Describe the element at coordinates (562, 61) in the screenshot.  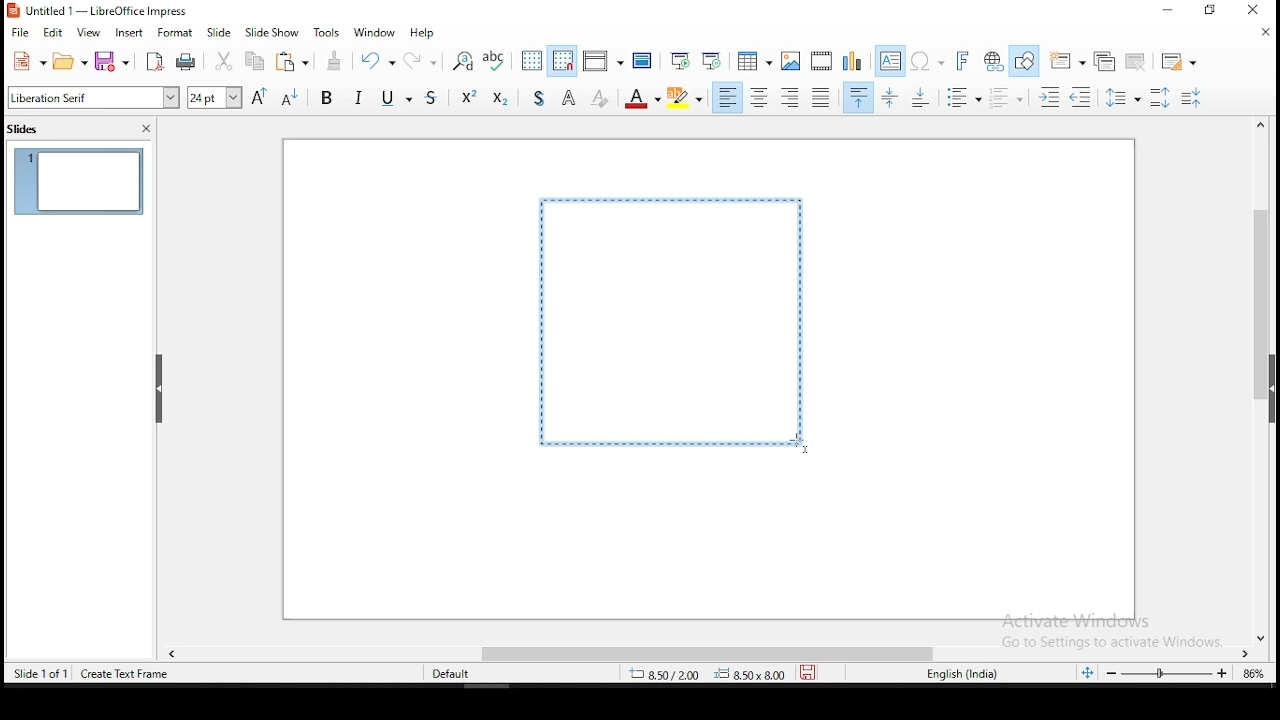
I see `snap to grid` at that location.